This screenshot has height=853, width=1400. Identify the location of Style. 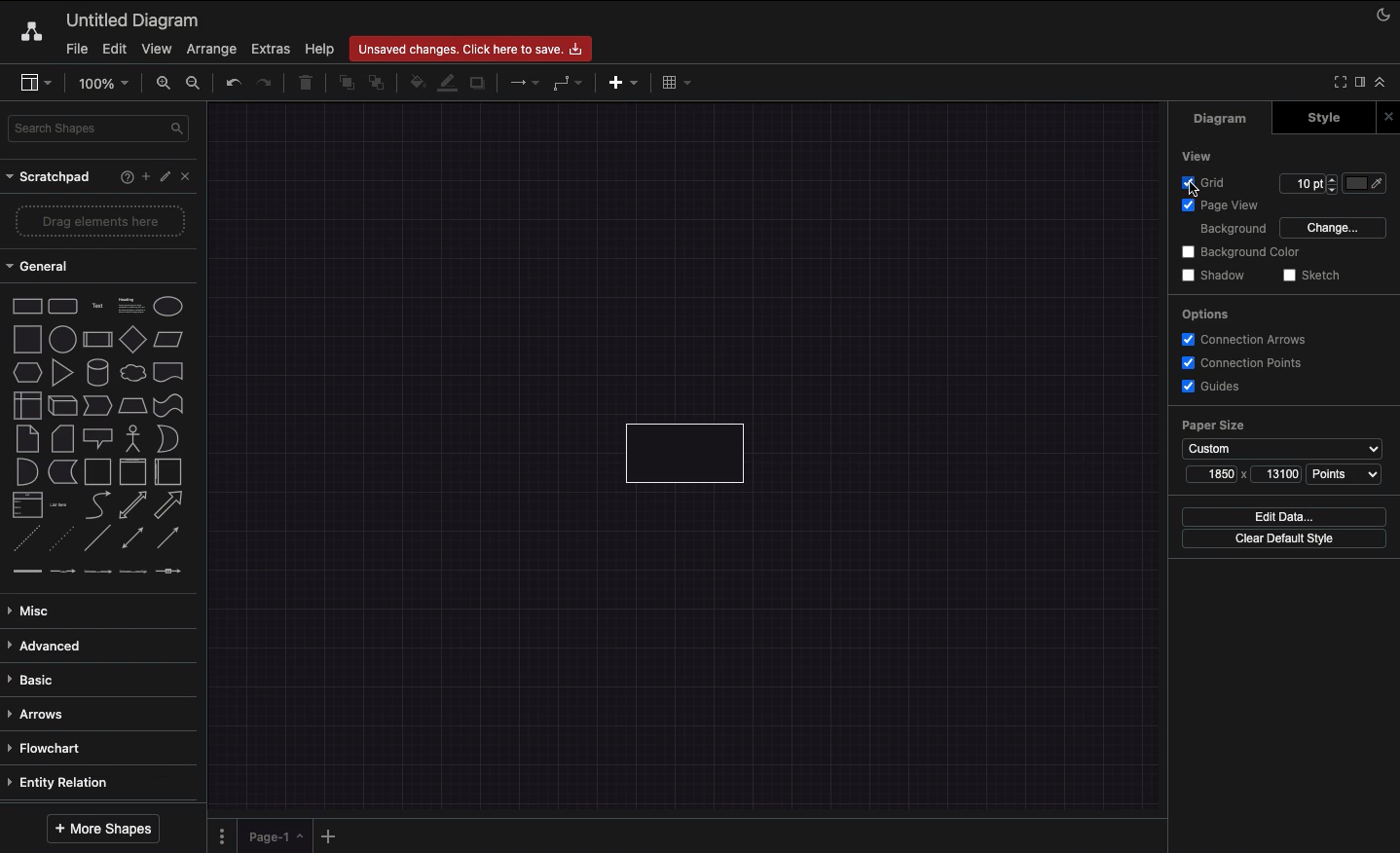
(1326, 118).